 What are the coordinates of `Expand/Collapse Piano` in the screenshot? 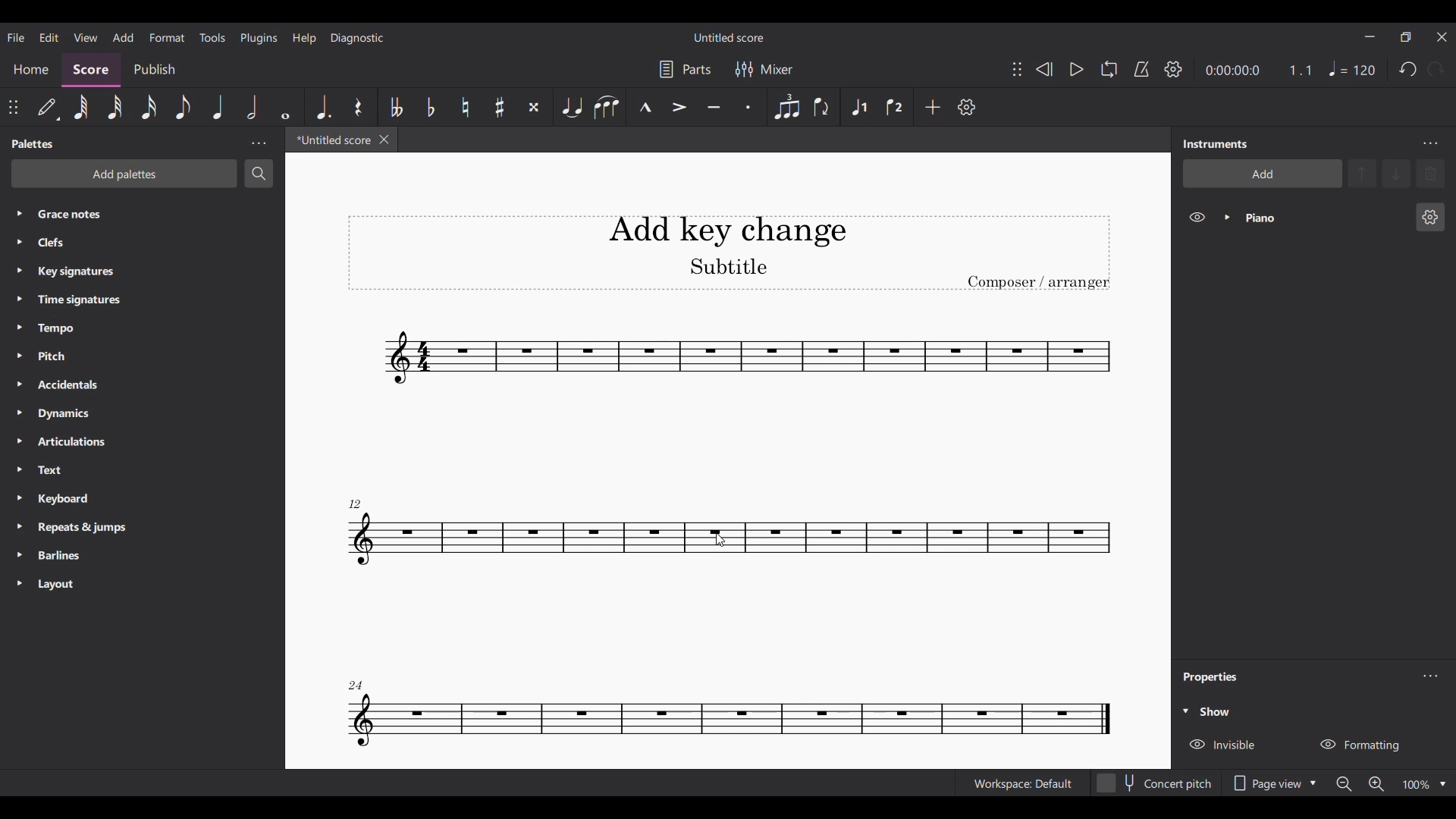 It's located at (1227, 218).